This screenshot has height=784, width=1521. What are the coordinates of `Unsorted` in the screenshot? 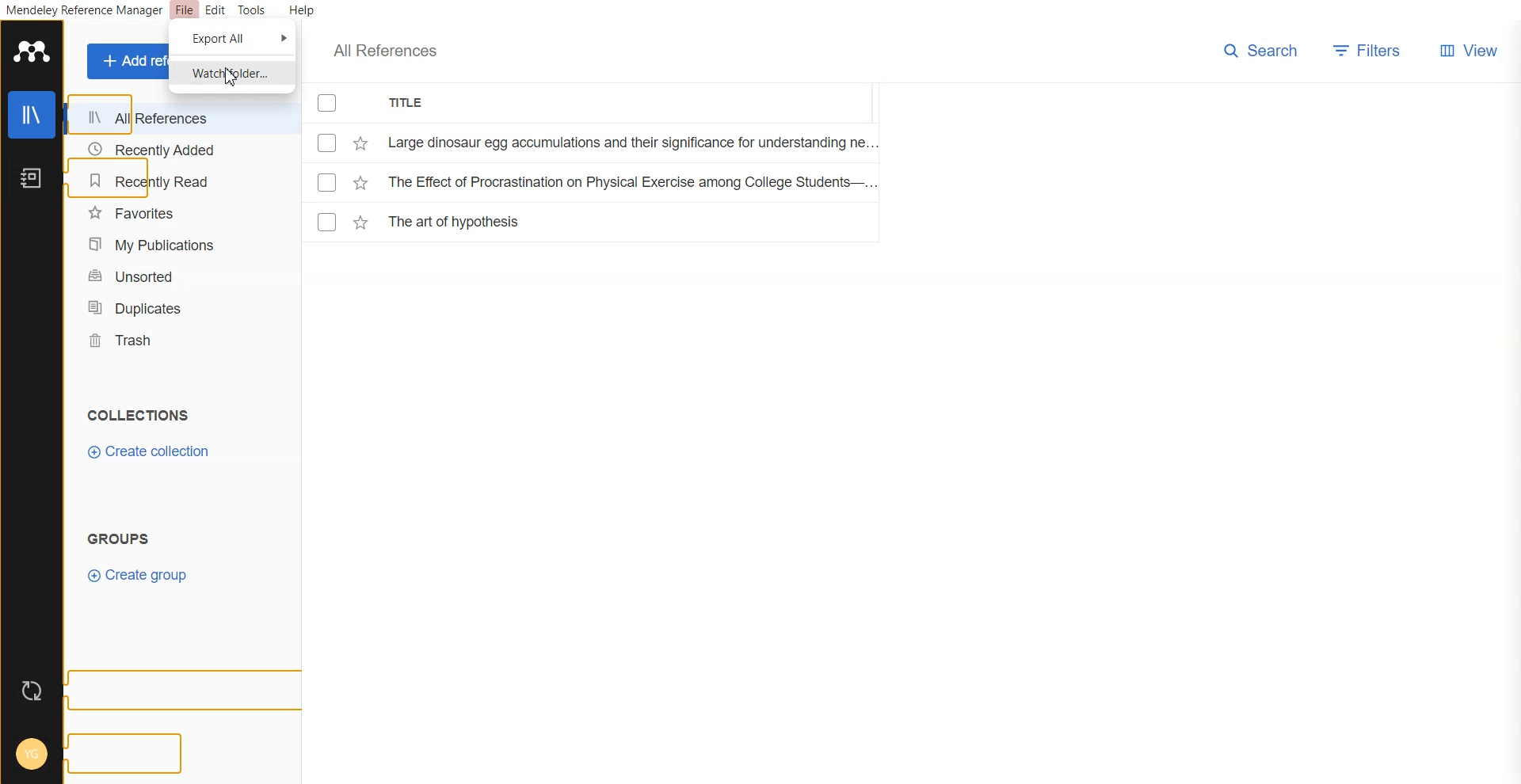 It's located at (170, 276).